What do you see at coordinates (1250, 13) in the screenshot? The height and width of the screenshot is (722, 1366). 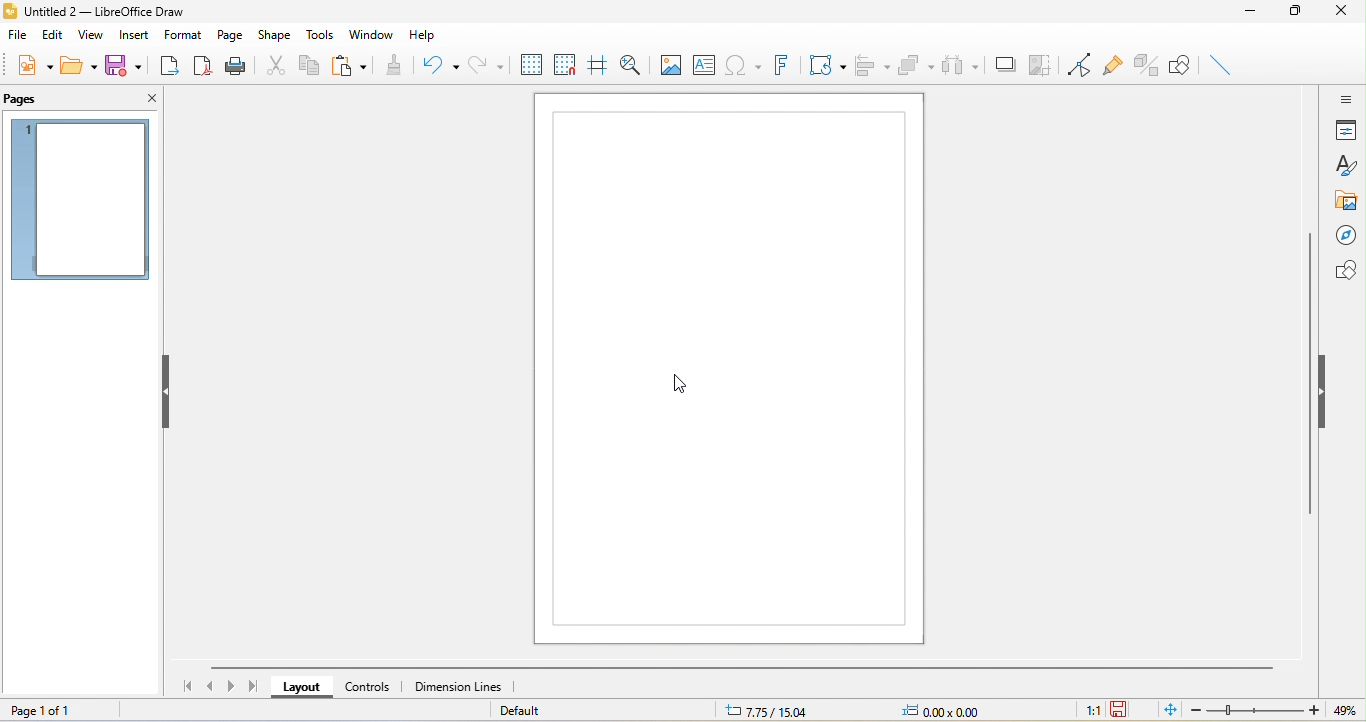 I see `minimize` at bounding box center [1250, 13].